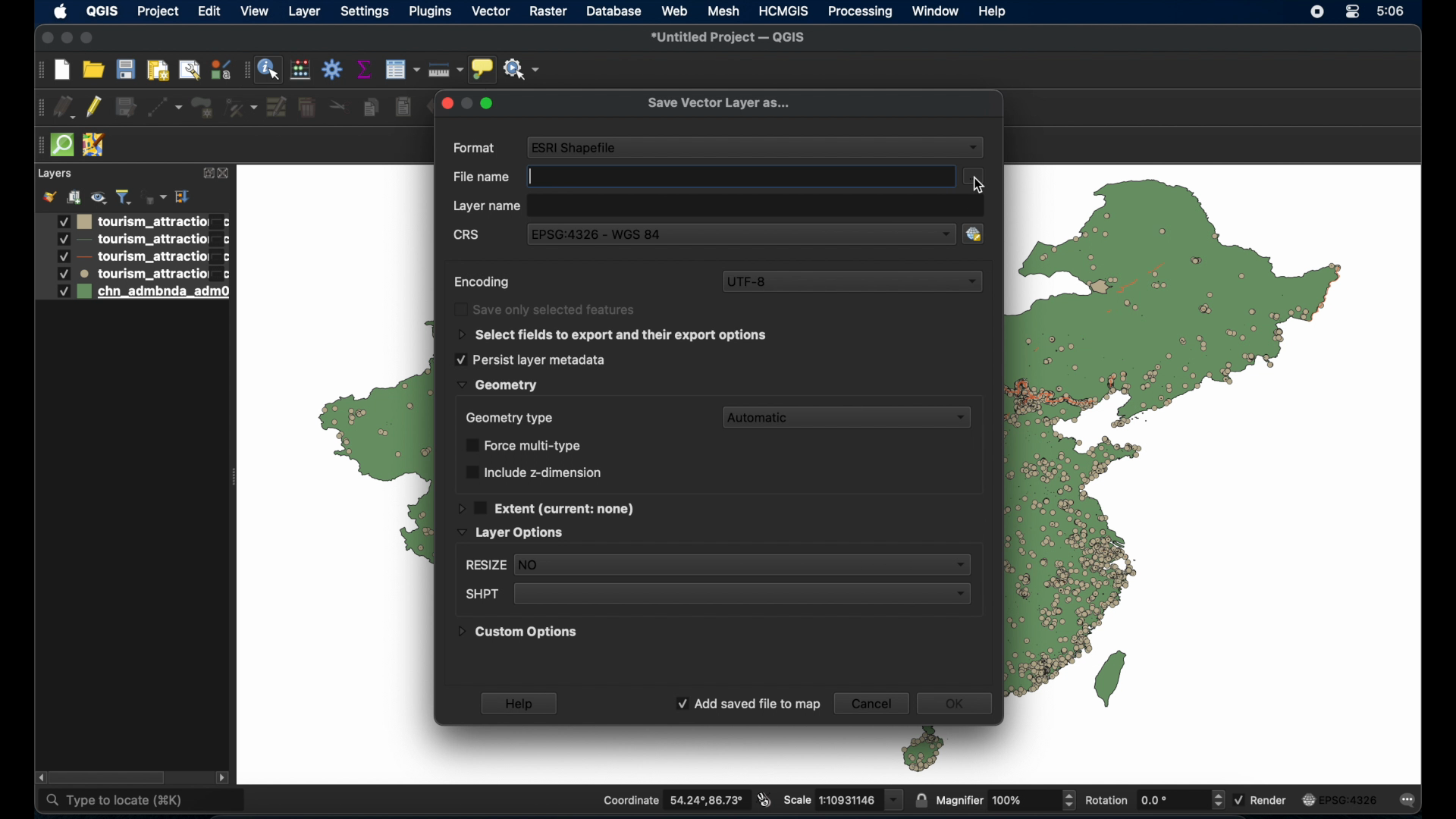 The height and width of the screenshot is (819, 1456). I want to click on layer name, so click(486, 207).